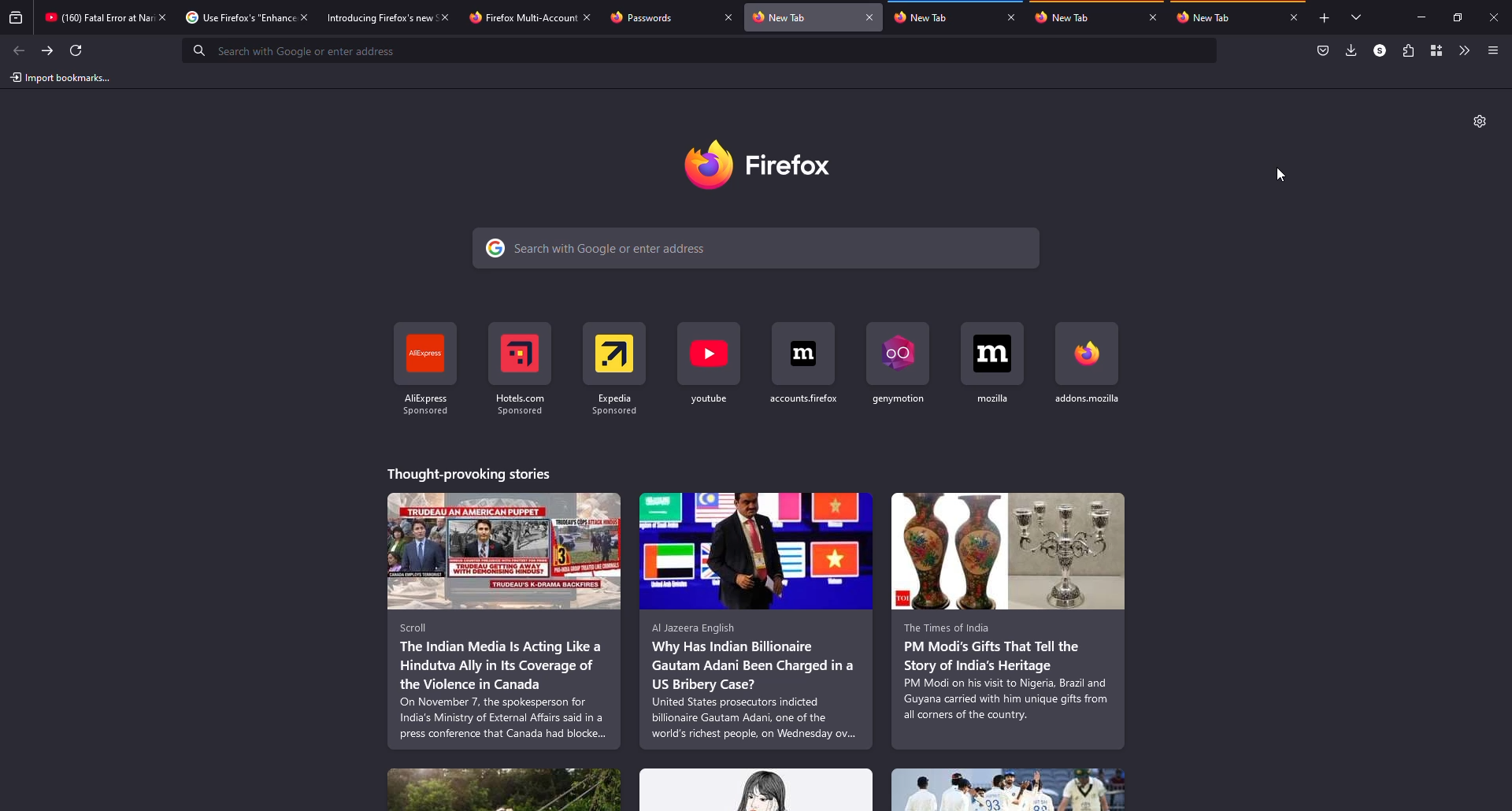 The image size is (1512, 811). What do you see at coordinates (701, 50) in the screenshot?
I see `search` at bounding box center [701, 50].